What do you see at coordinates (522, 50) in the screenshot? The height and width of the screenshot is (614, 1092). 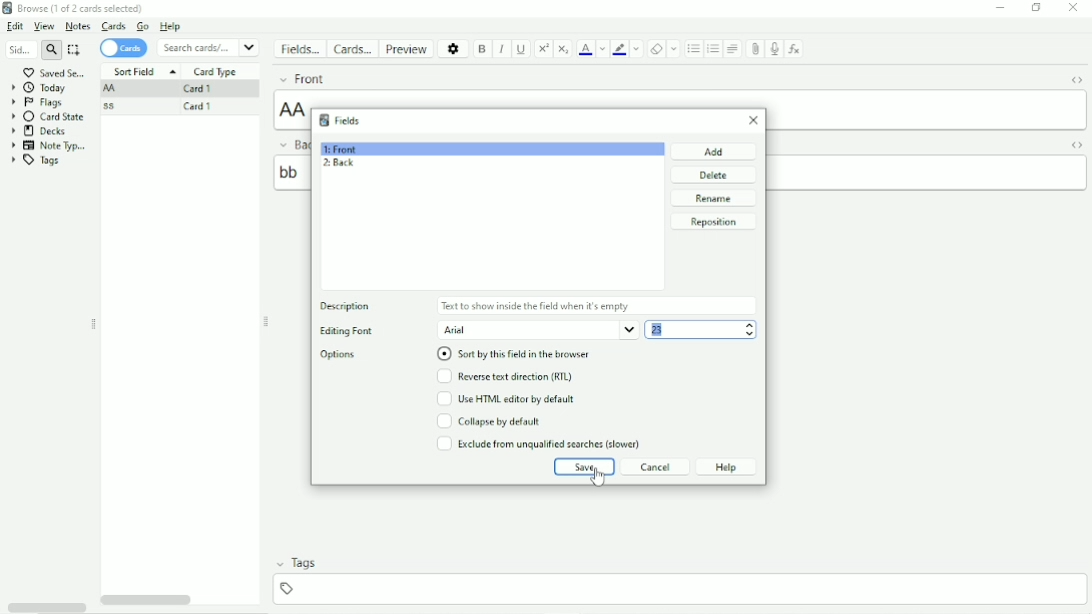 I see `Underline` at bounding box center [522, 50].